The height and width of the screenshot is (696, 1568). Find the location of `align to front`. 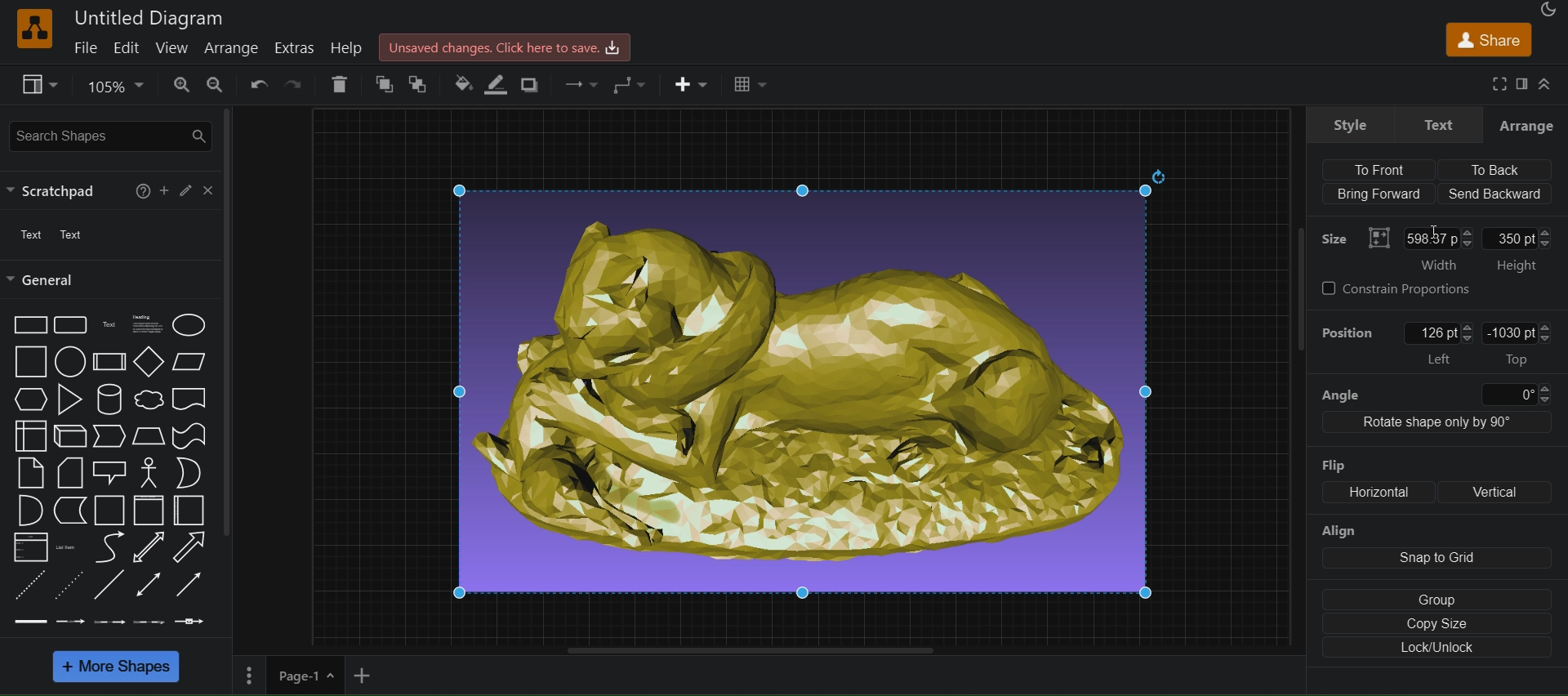

align to front is located at coordinates (1388, 168).